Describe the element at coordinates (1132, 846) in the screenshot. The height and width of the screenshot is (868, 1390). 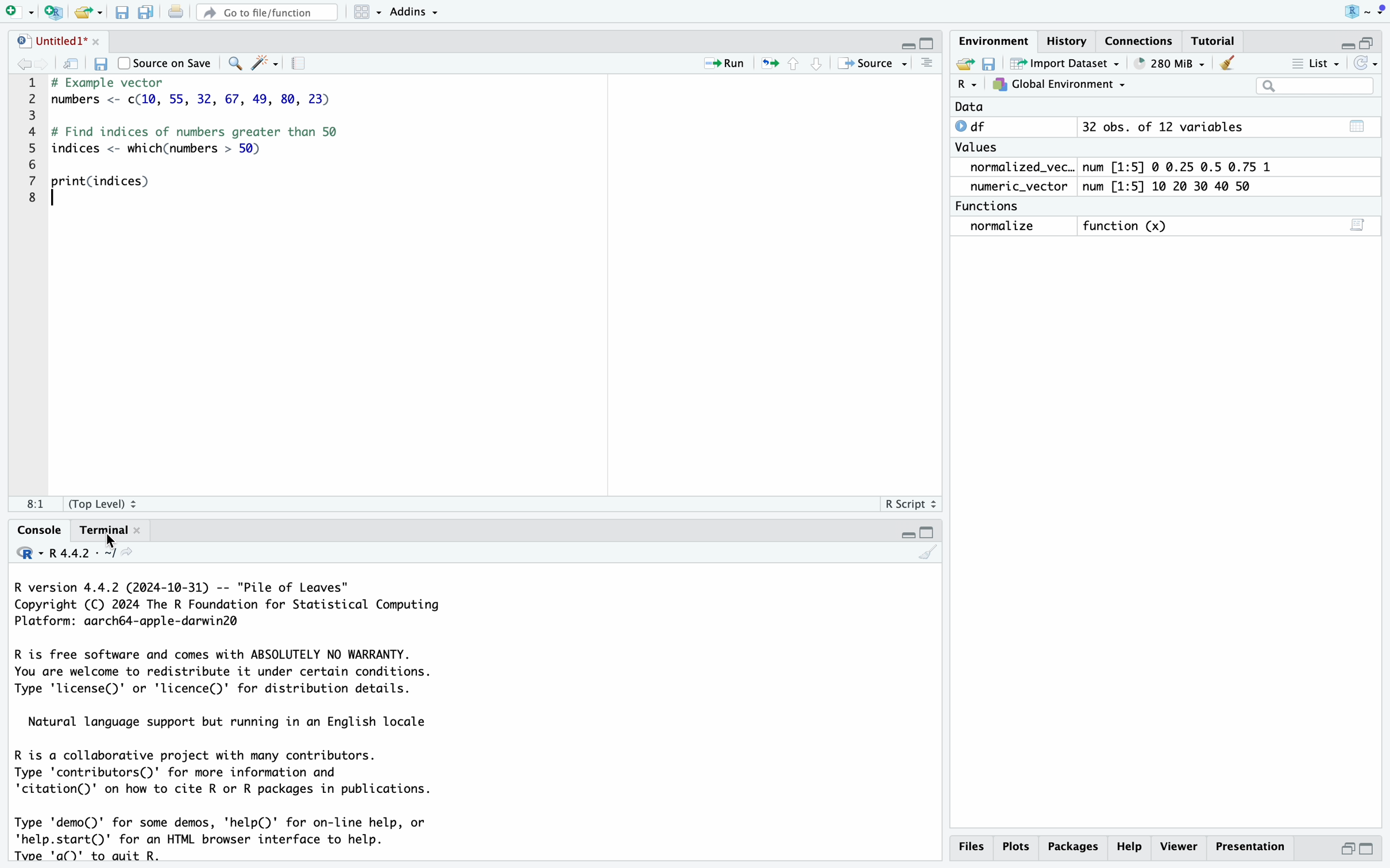
I see `help` at that location.